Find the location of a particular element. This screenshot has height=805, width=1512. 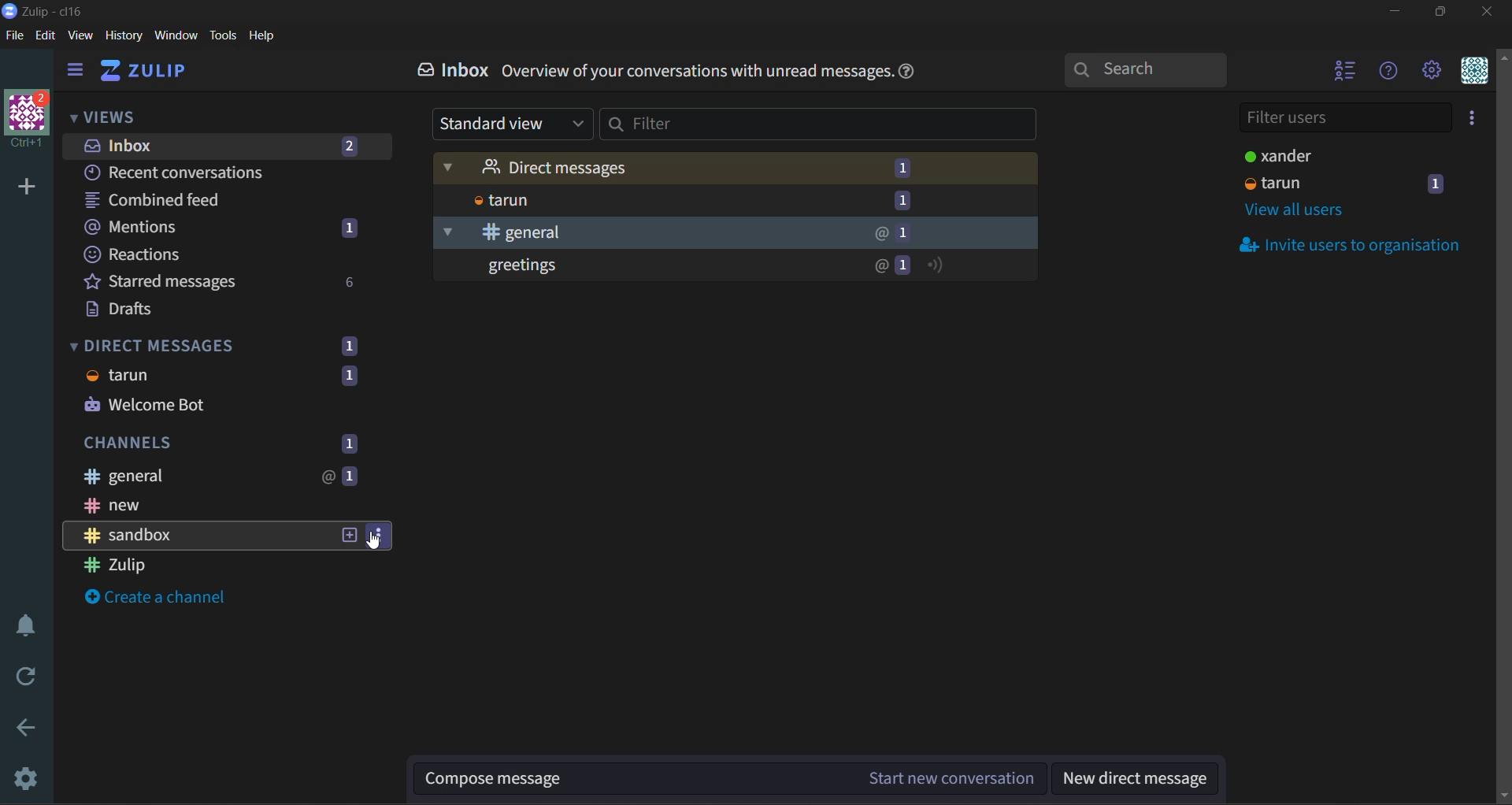

Sandbox is located at coordinates (199, 536).